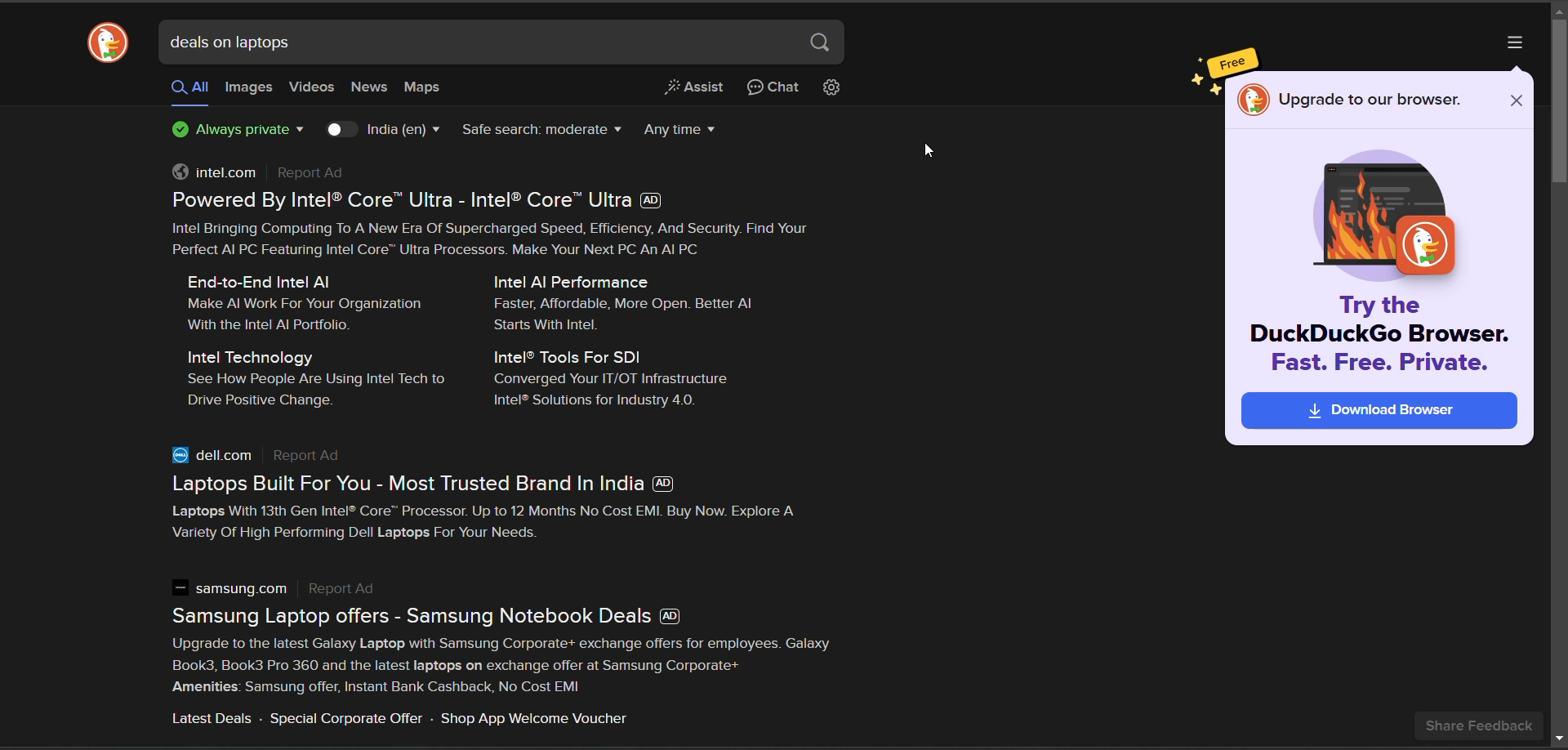  What do you see at coordinates (1515, 43) in the screenshot?
I see `more options` at bounding box center [1515, 43].